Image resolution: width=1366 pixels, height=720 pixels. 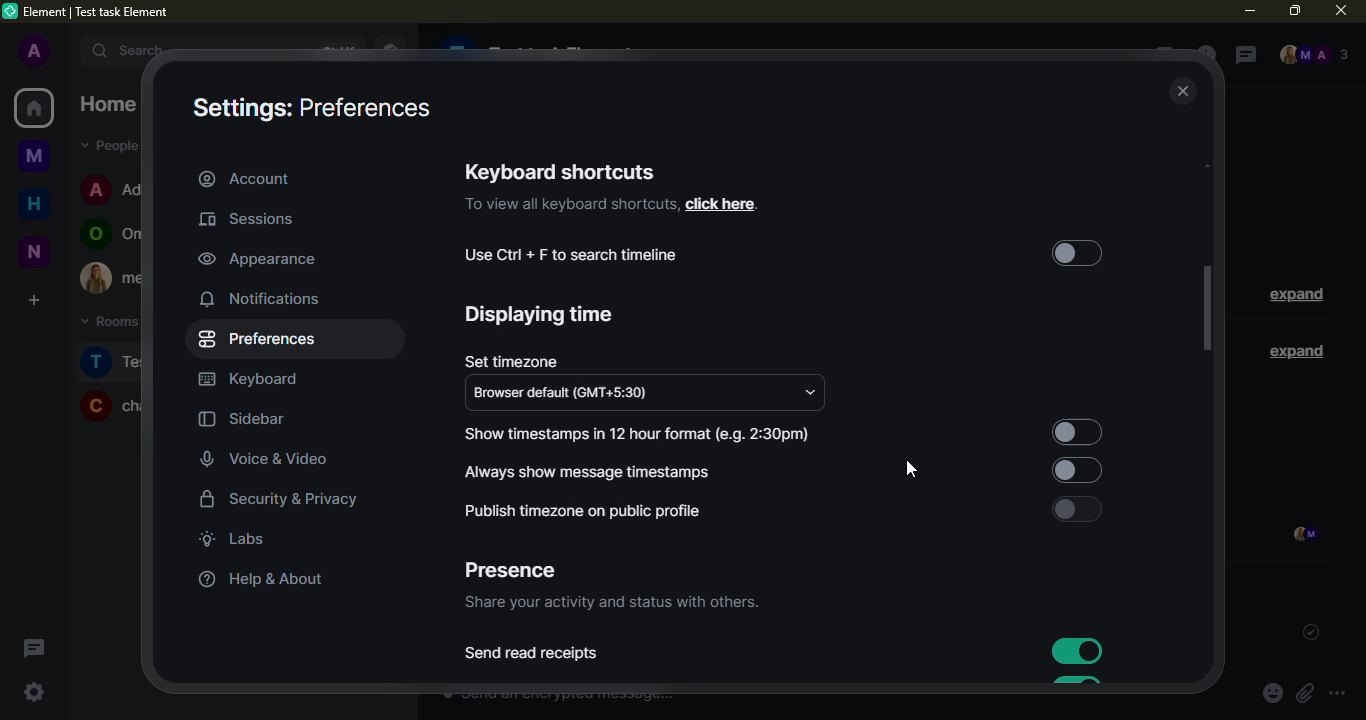 I want to click on sessions, so click(x=253, y=220).